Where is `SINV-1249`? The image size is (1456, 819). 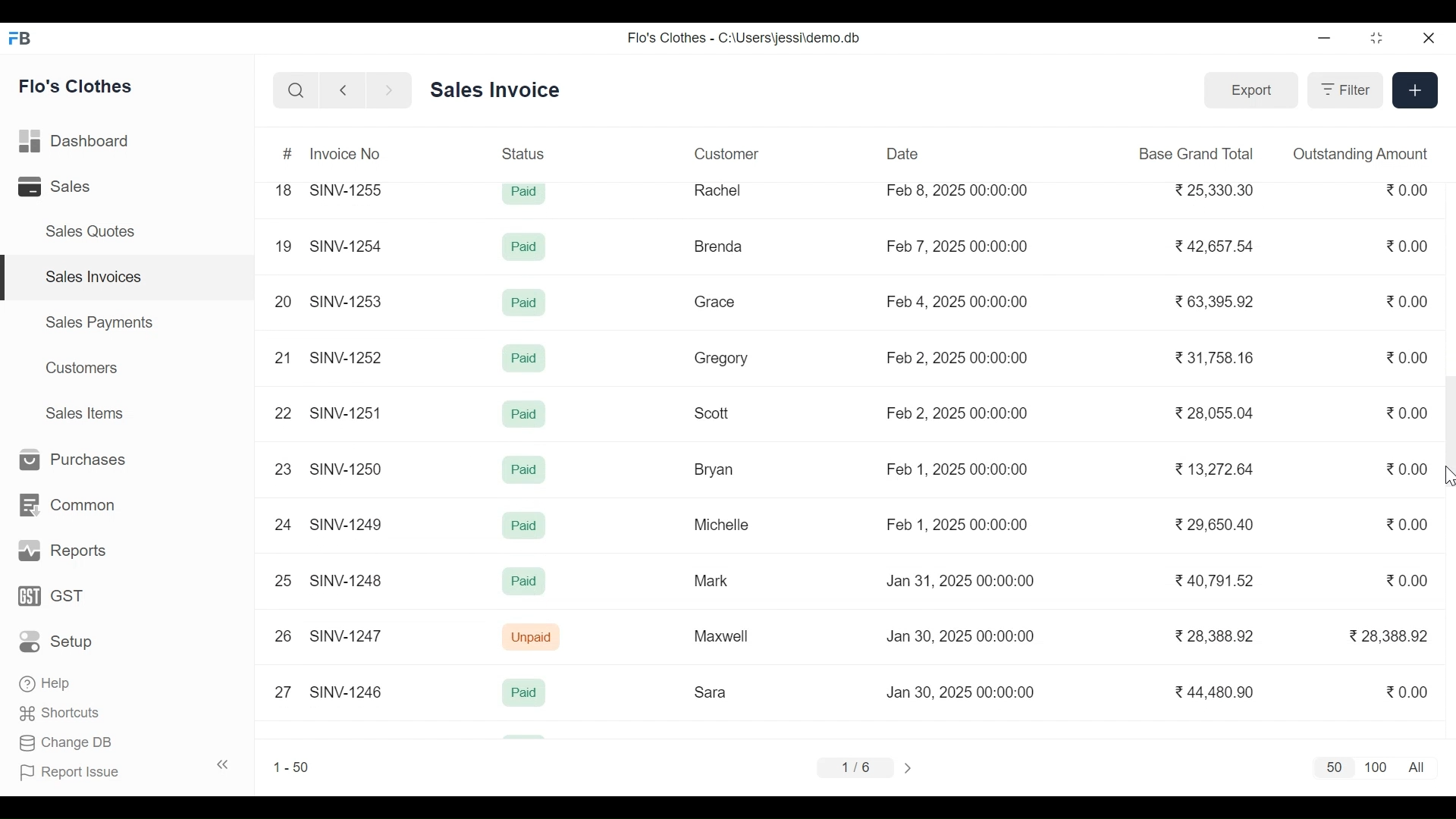 SINV-1249 is located at coordinates (347, 524).